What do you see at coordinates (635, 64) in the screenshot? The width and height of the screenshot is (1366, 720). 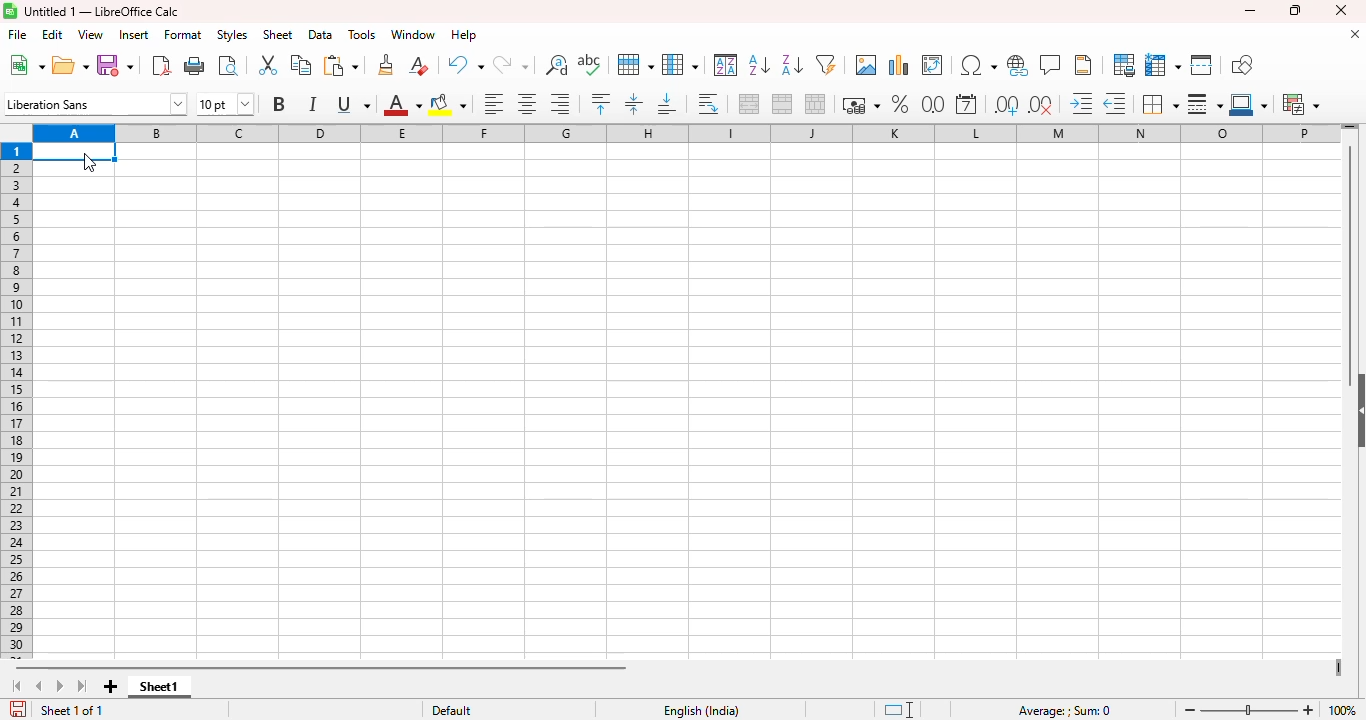 I see `row` at bounding box center [635, 64].